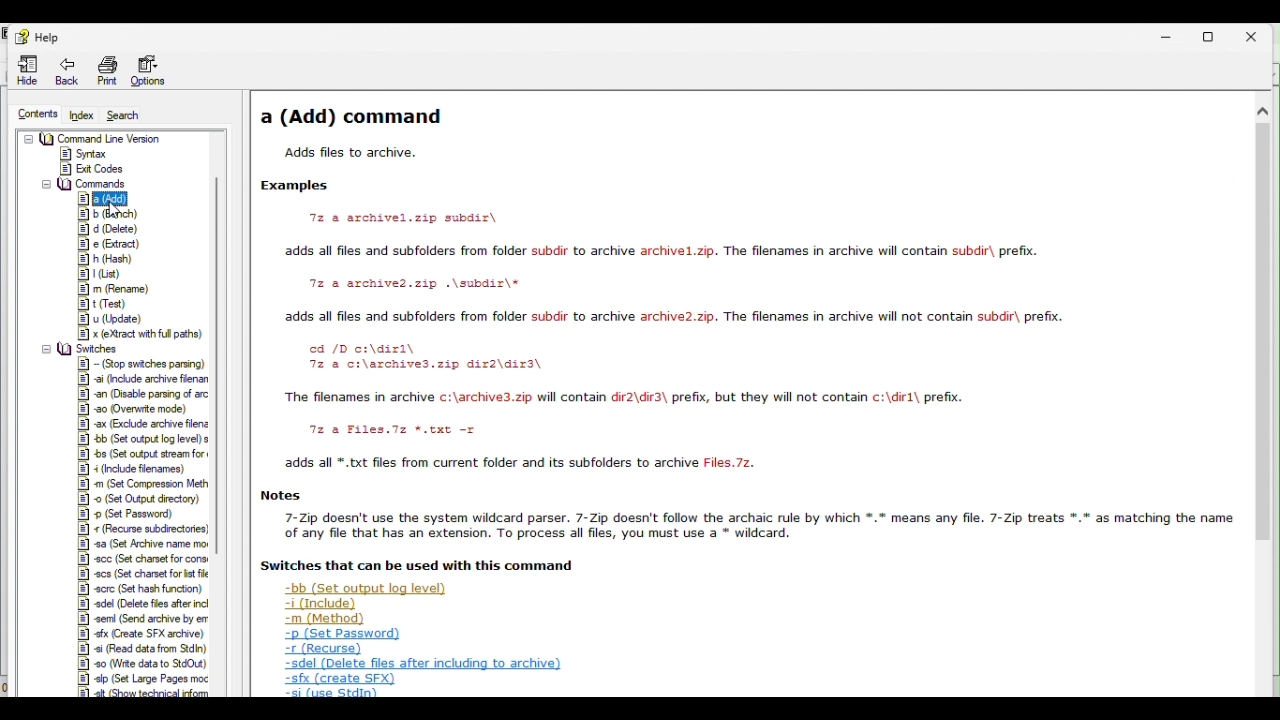 This screenshot has width=1280, height=720. I want to click on syntax, so click(84, 154).